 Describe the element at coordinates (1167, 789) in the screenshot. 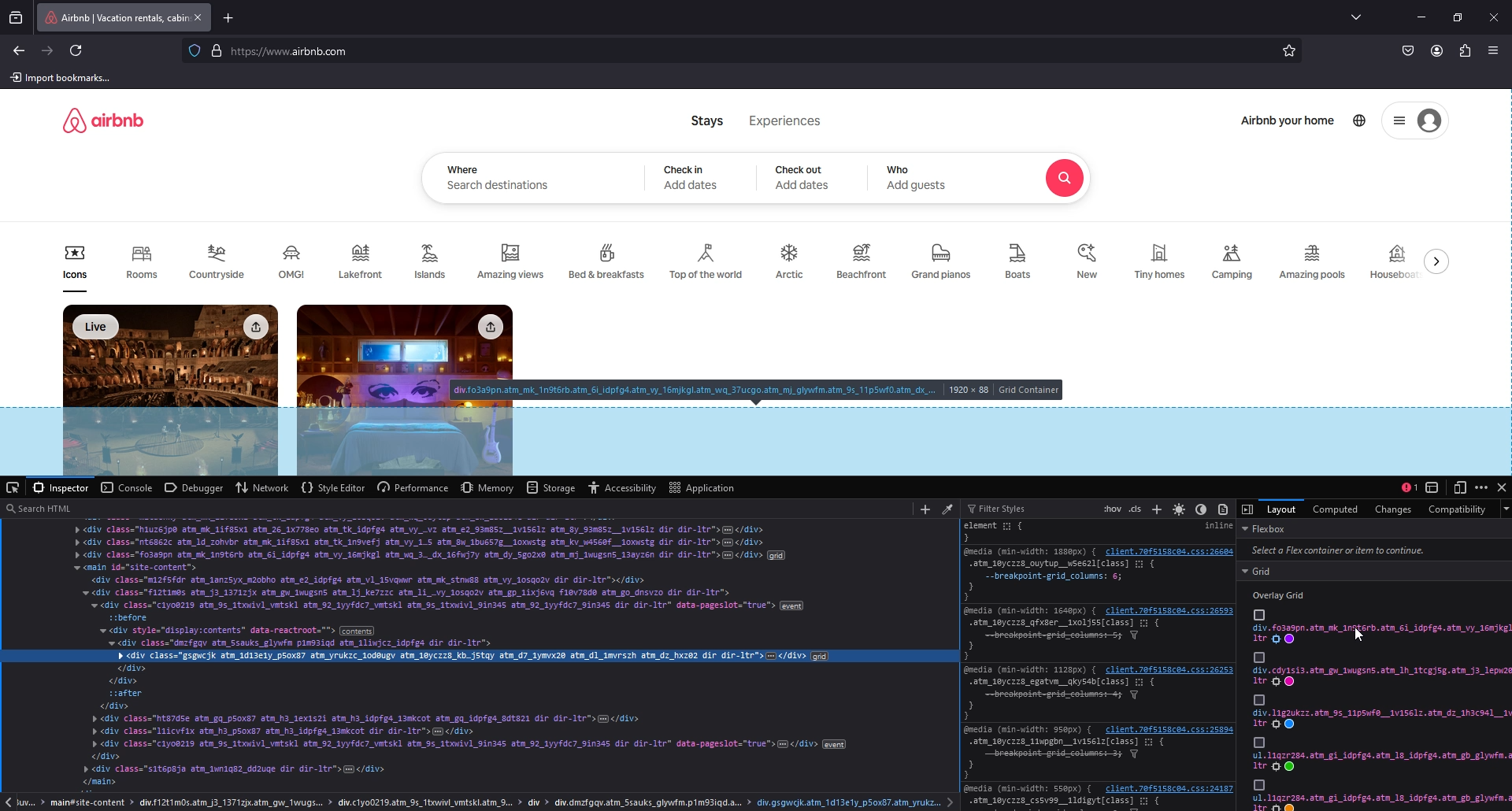

I see `link` at that location.